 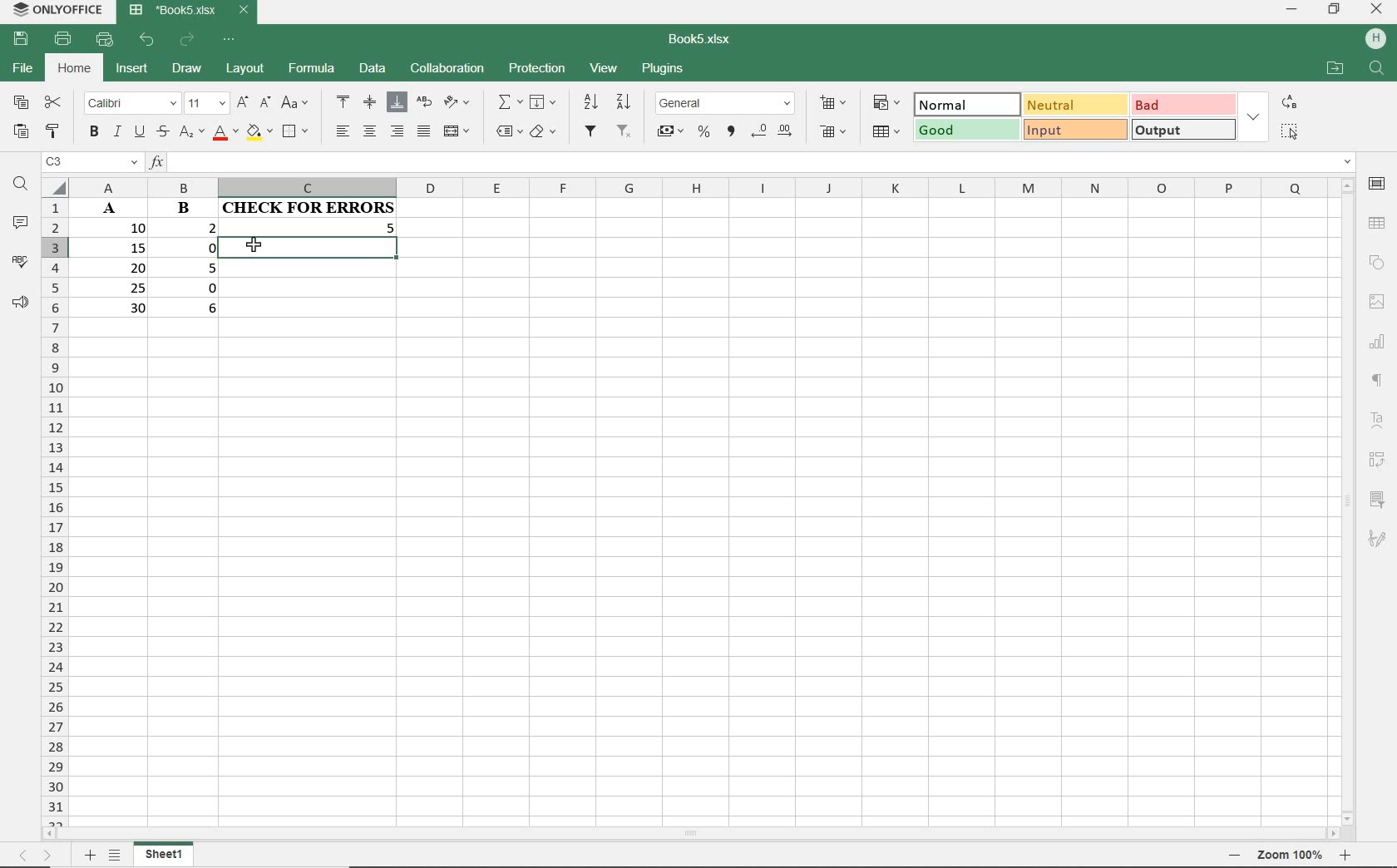 What do you see at coordinates (1074, 104) in the screenshot?
I see `NEUTRAL` at bounding box center [1074, 104].